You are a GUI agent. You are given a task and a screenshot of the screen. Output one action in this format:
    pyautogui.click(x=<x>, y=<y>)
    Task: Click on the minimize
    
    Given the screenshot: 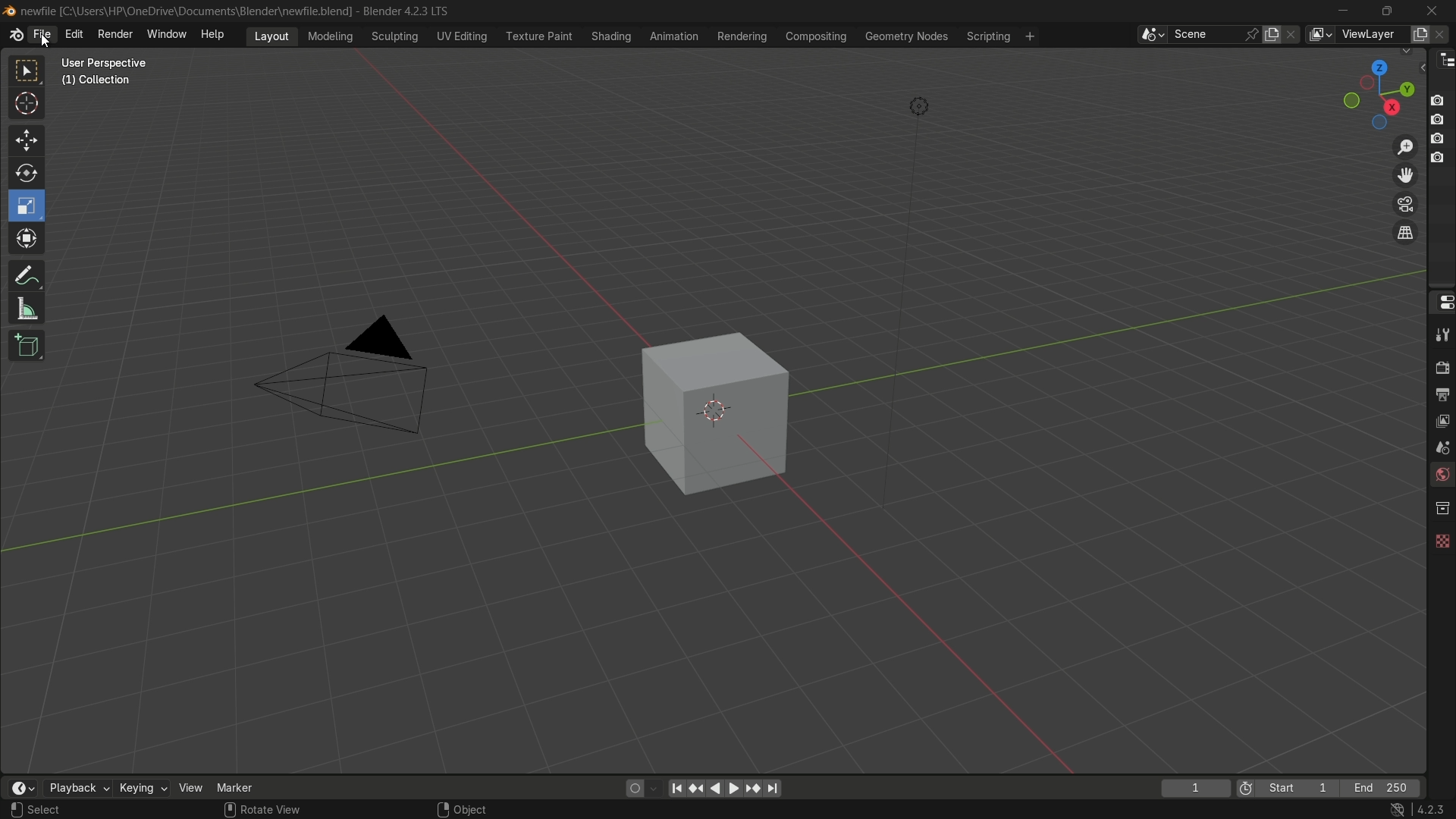 What is the action you would take?
    pyautogui.click(x=1344, y=11)
    